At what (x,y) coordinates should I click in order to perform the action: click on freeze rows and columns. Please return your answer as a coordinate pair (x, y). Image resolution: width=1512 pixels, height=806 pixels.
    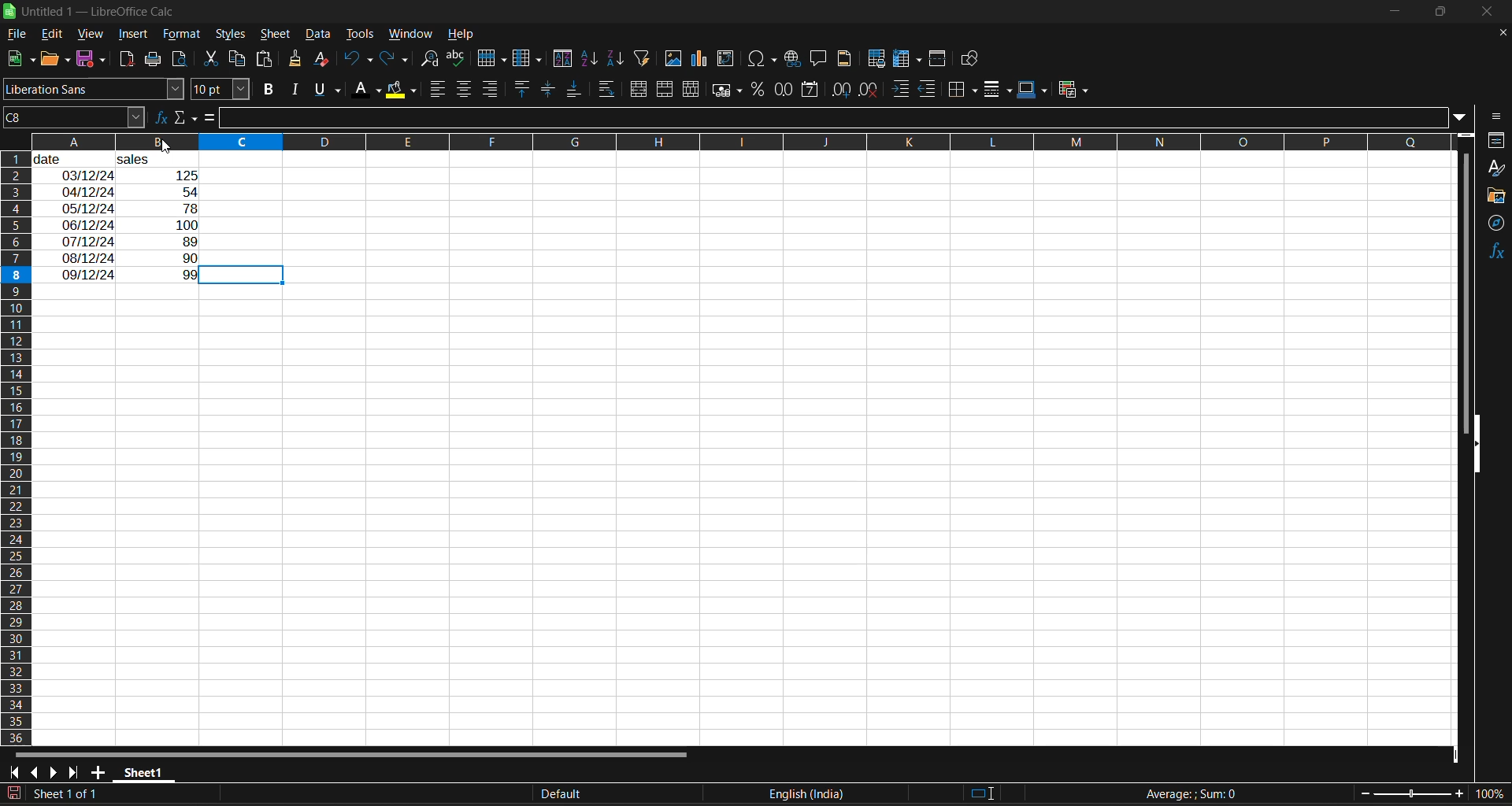
    Looking at the image, I should click on (907, 60).